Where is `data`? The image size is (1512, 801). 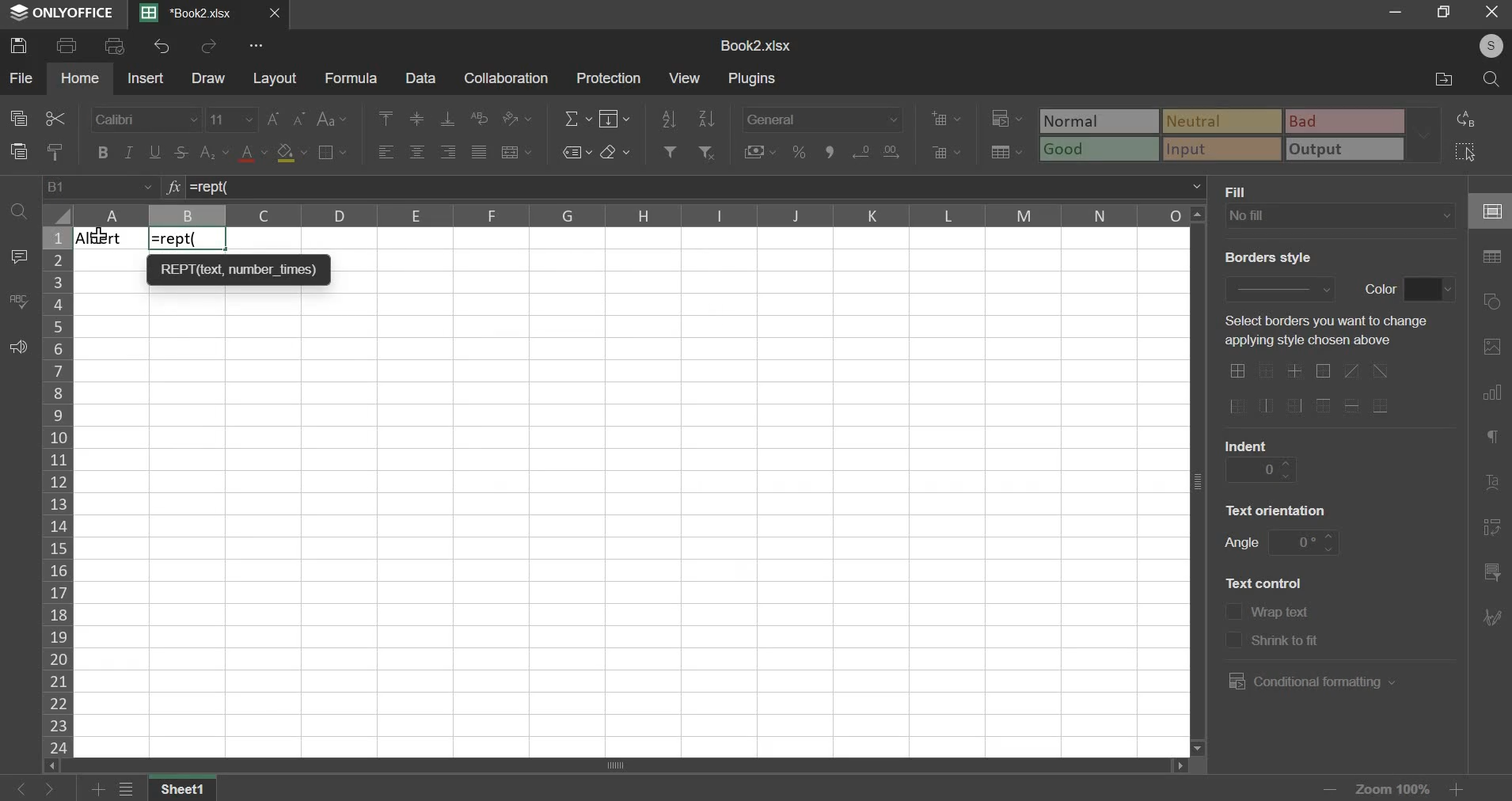 data is located at coordinates (424, 78).